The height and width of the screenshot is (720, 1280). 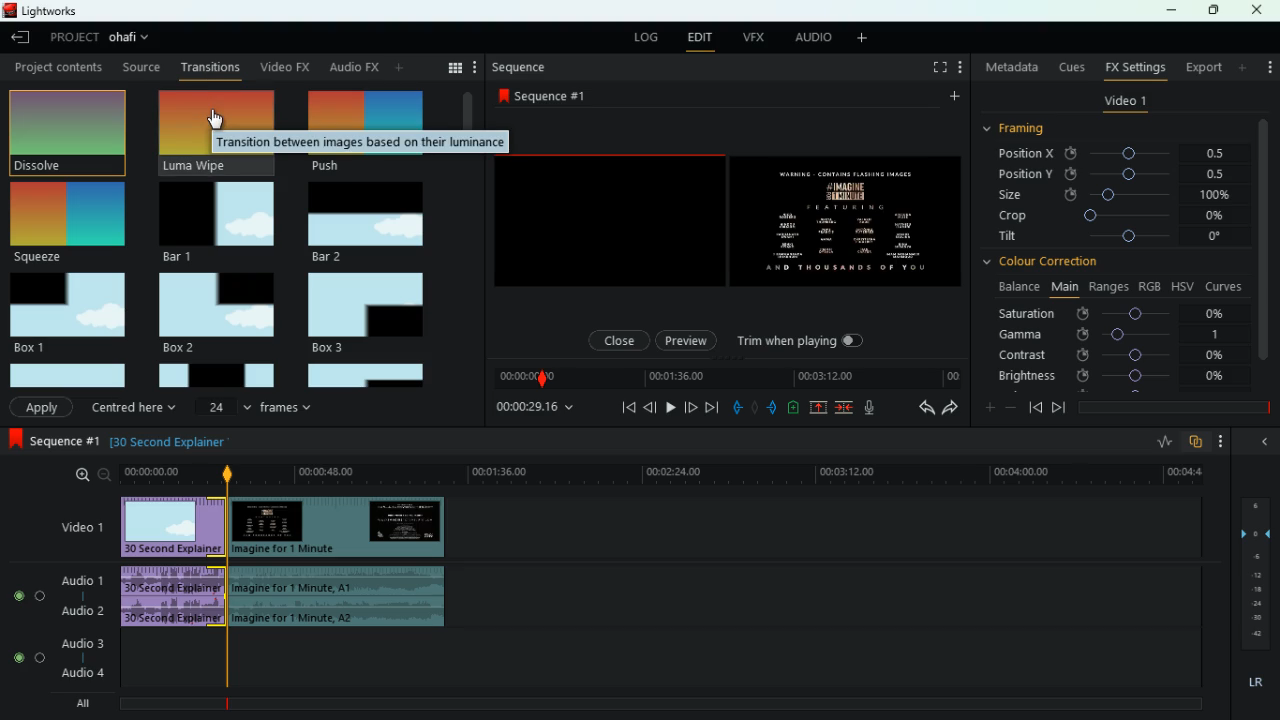 What do you see at coordinates (90, 703) in the screenshot?
I see `all` at bounding box center [90, 703].